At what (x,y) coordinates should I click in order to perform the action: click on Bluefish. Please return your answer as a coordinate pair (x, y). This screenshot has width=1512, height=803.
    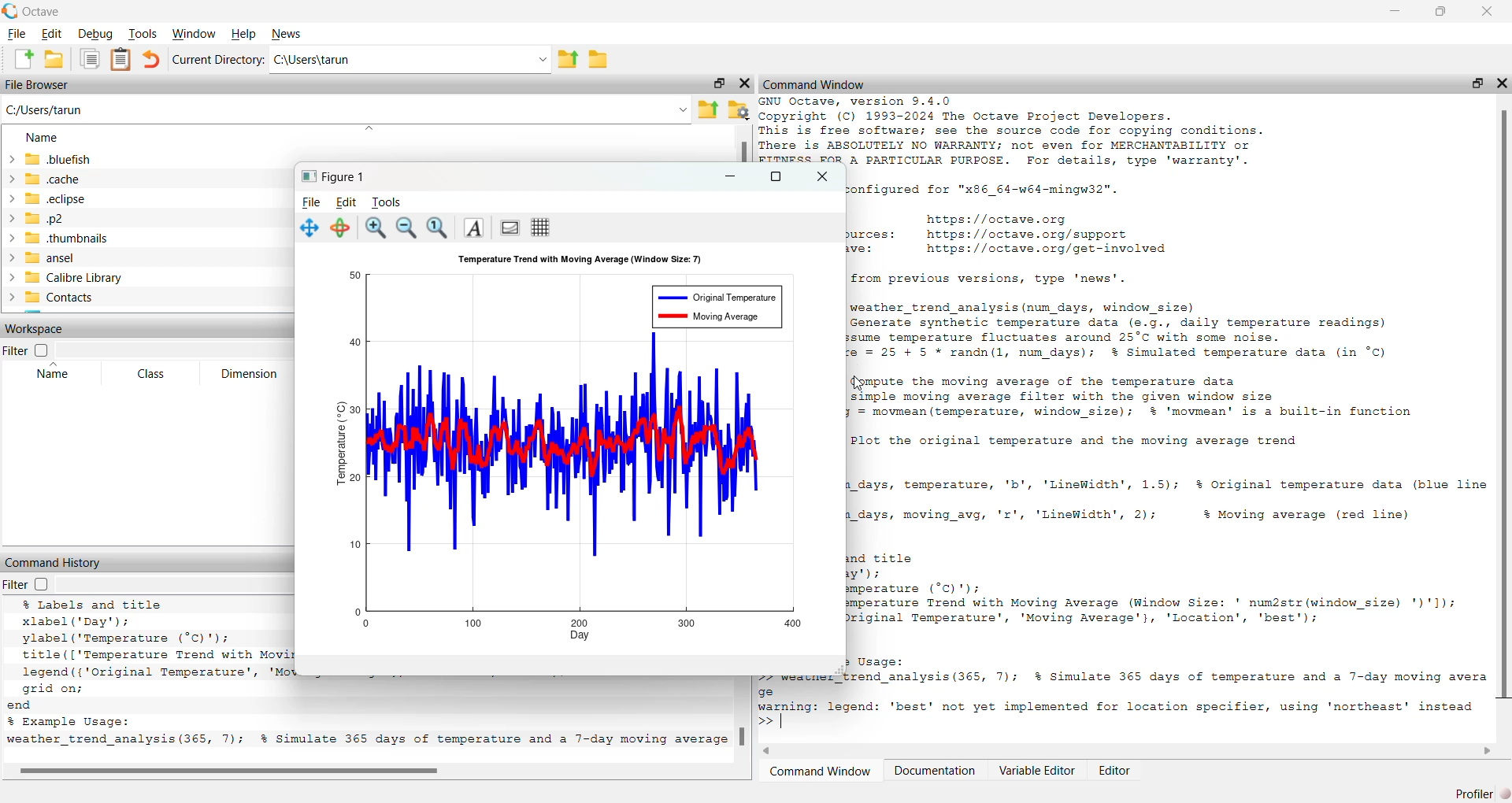
    Looking at the image, I should click on (48, 159).